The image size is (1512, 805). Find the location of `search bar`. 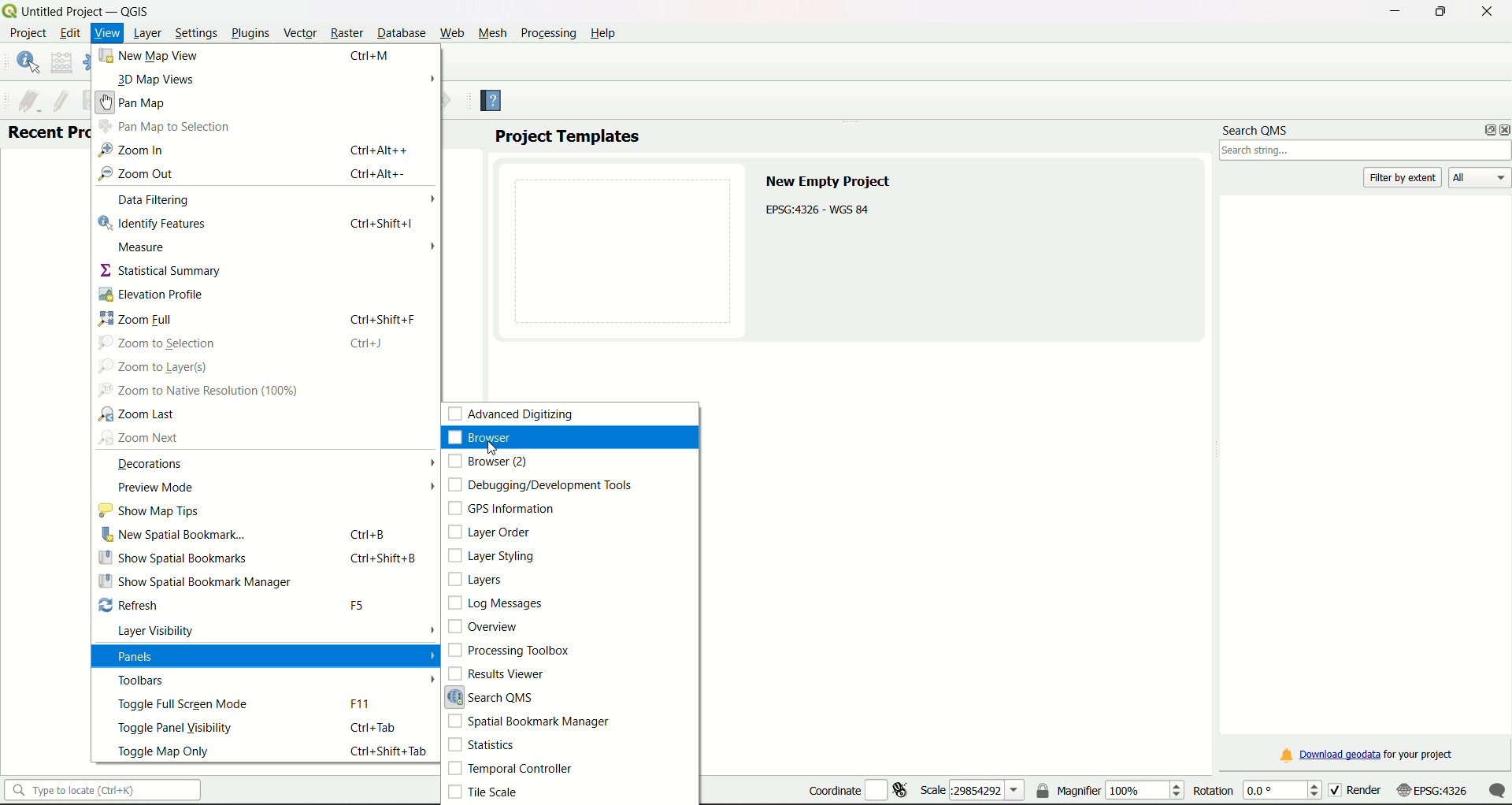

search bar is located at coordinates (103, 790).